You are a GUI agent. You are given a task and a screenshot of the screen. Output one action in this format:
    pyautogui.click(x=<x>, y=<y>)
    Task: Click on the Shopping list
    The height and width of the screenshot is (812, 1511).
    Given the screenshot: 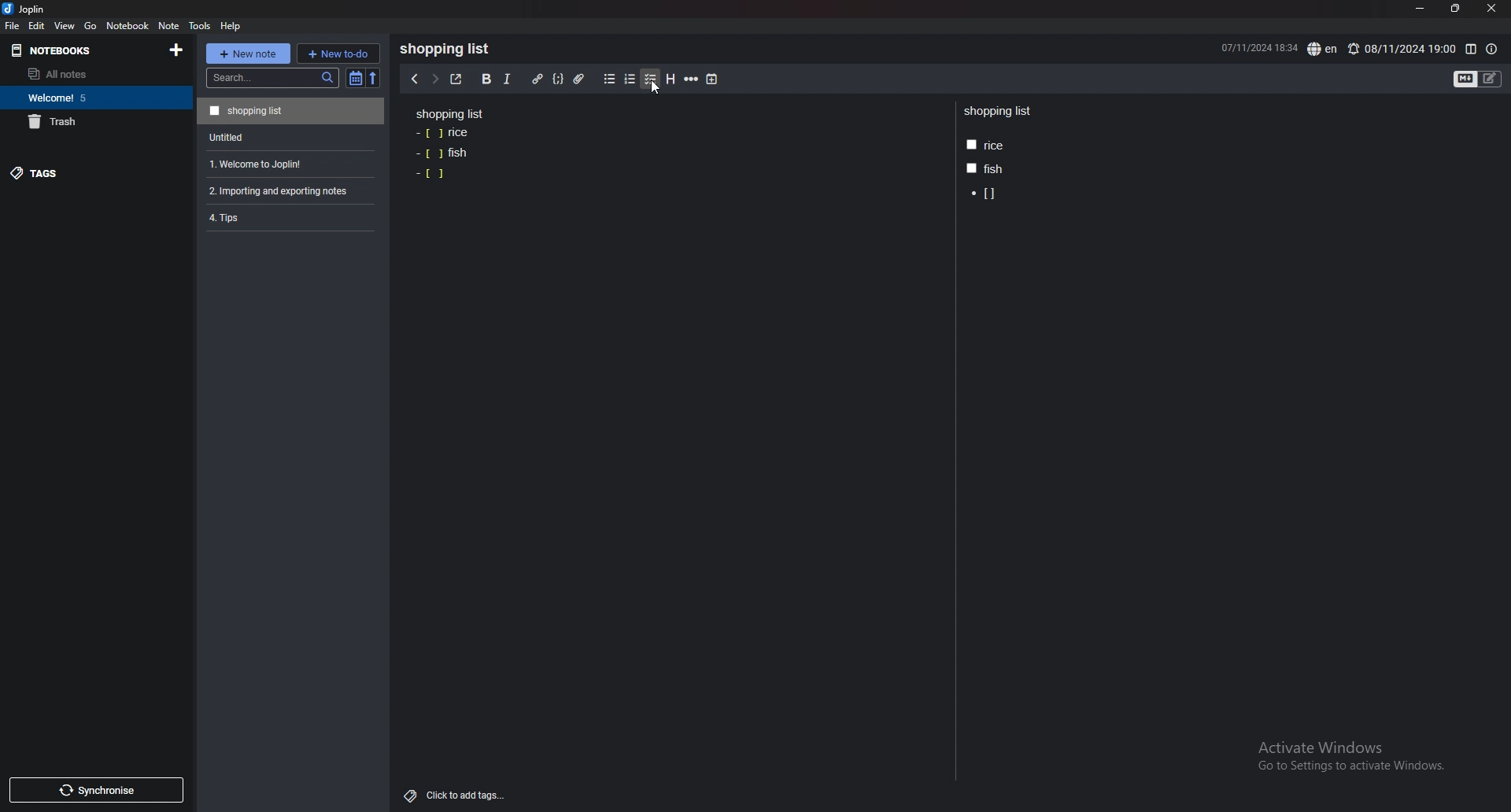 What is the action you would take?
    pyautogui.click(x=450, y=113)
    